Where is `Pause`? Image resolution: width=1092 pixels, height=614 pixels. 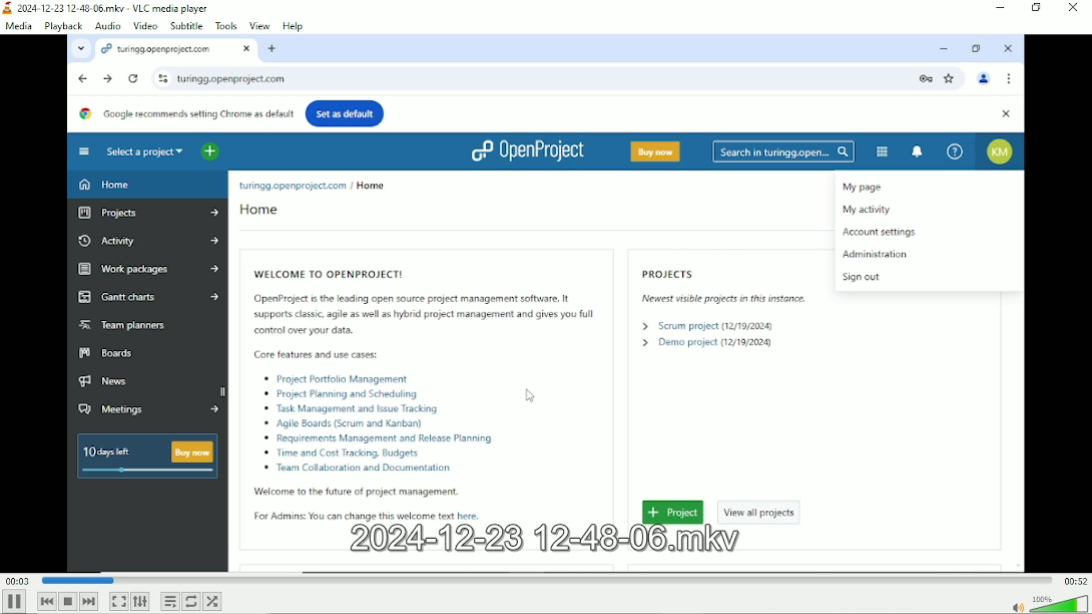 Pause is located at coordinates (15, 602).